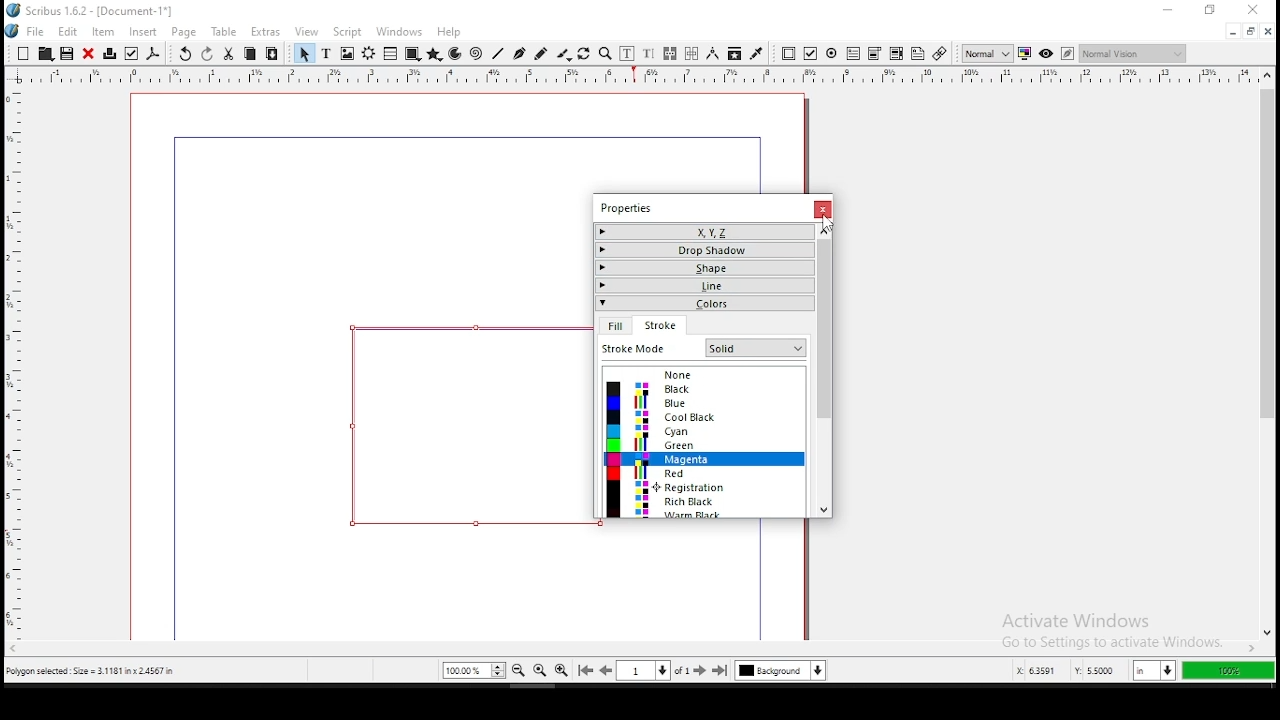  What do you see at coordinates (1067, 53) in the screenshot?
I see `edit in preview mode` at bounding box center [1067, 53].